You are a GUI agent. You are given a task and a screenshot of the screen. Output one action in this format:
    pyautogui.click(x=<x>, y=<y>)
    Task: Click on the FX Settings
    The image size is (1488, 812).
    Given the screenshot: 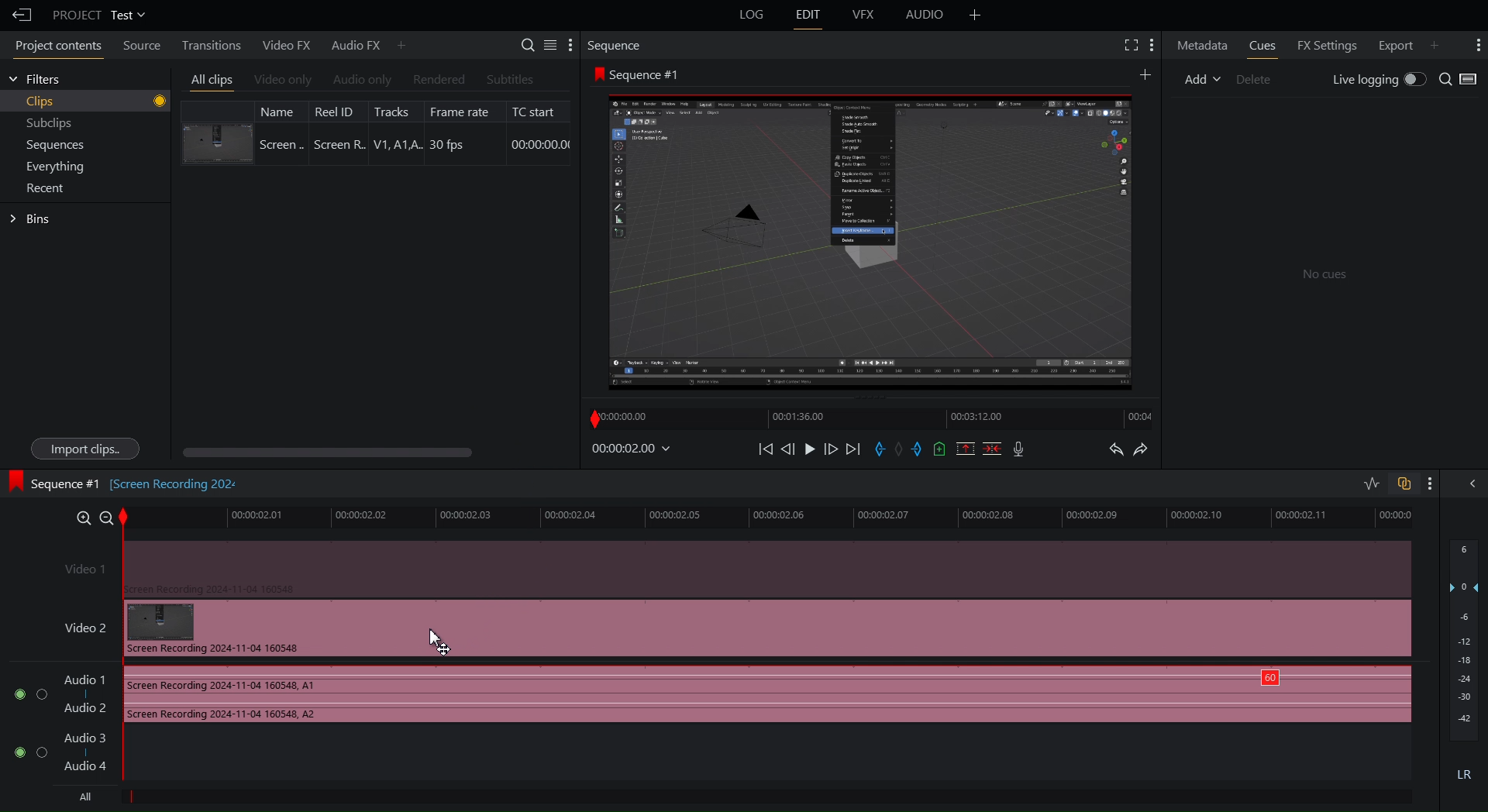 What is the action you would take?
    pyautogui.click(x=1324, y=43)
    